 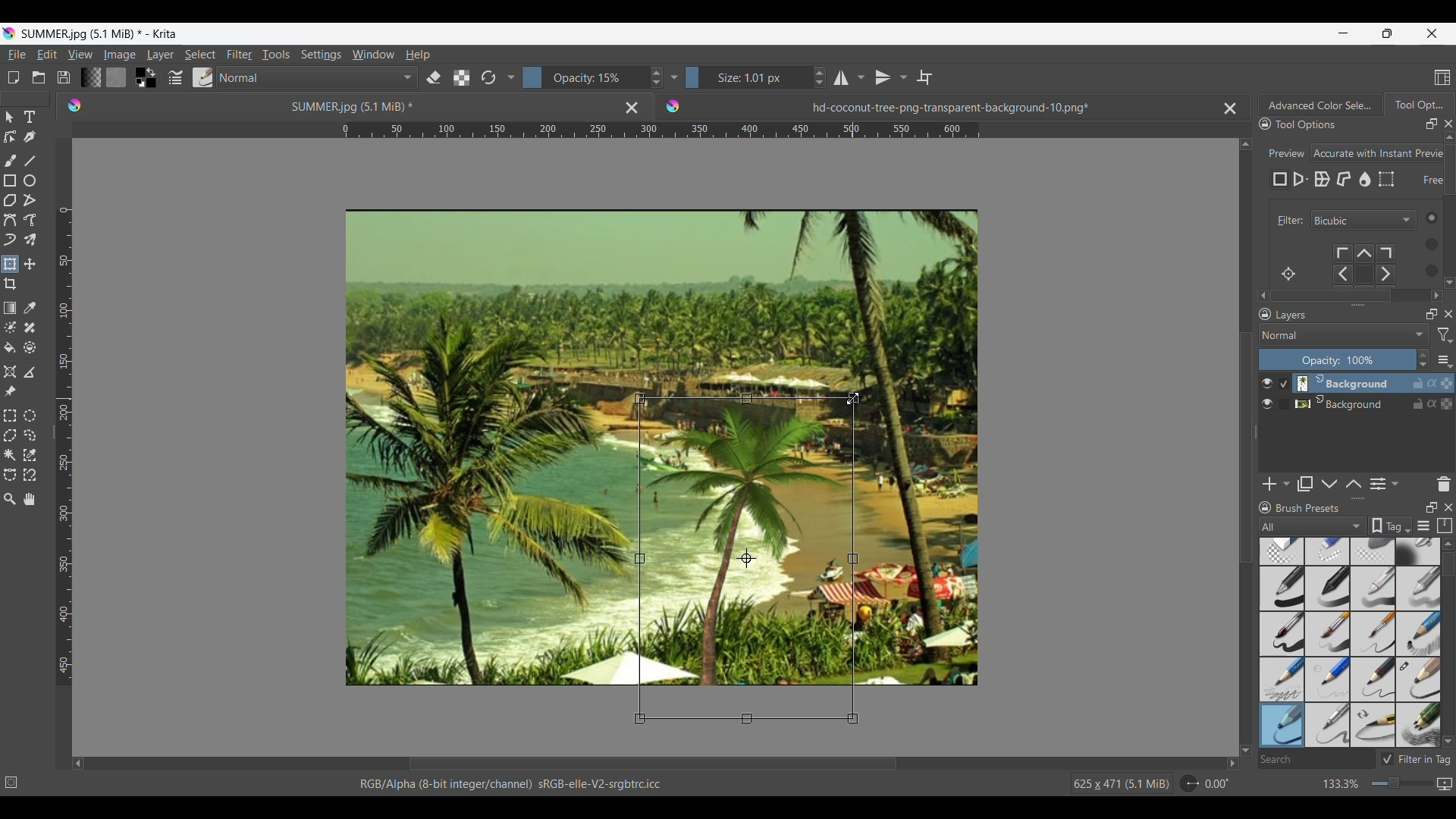 I want to click on Preview, so click(x=1284, y=149).